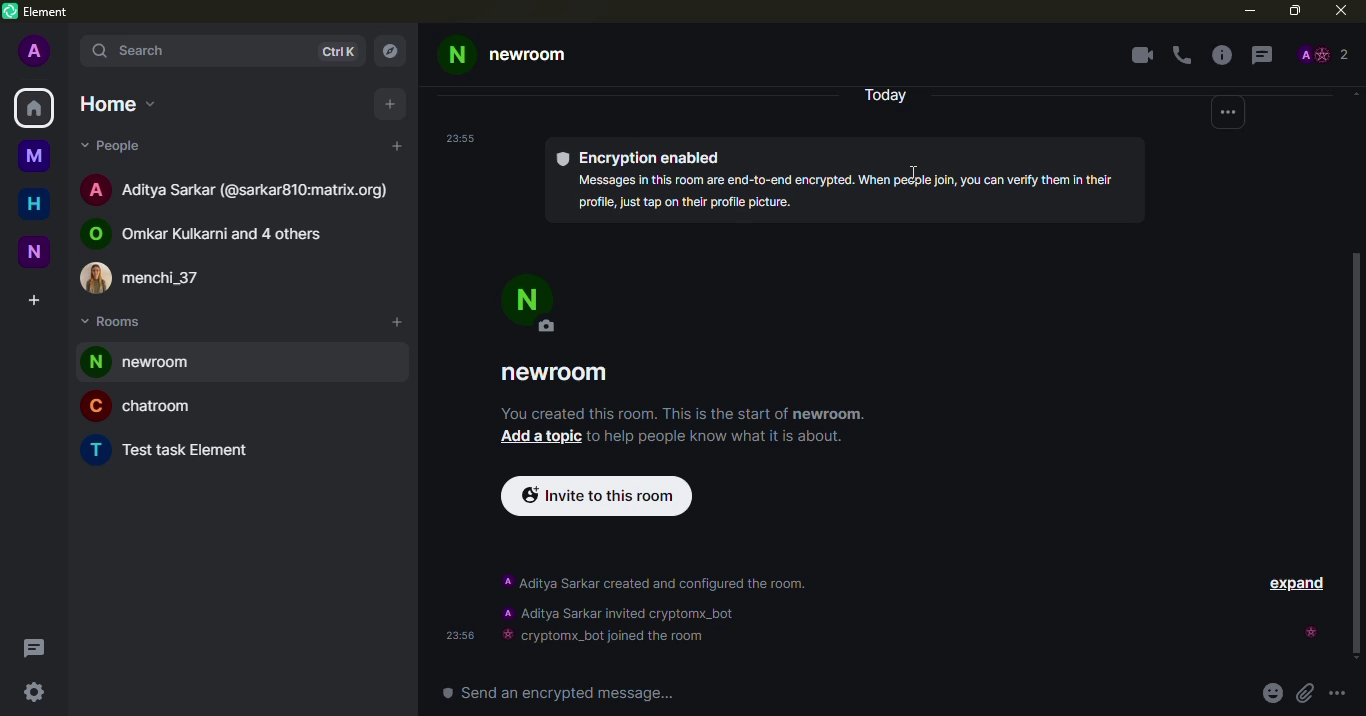 This screenshot has height=716, width=1366. I want to click on info, so click(1224, 56).